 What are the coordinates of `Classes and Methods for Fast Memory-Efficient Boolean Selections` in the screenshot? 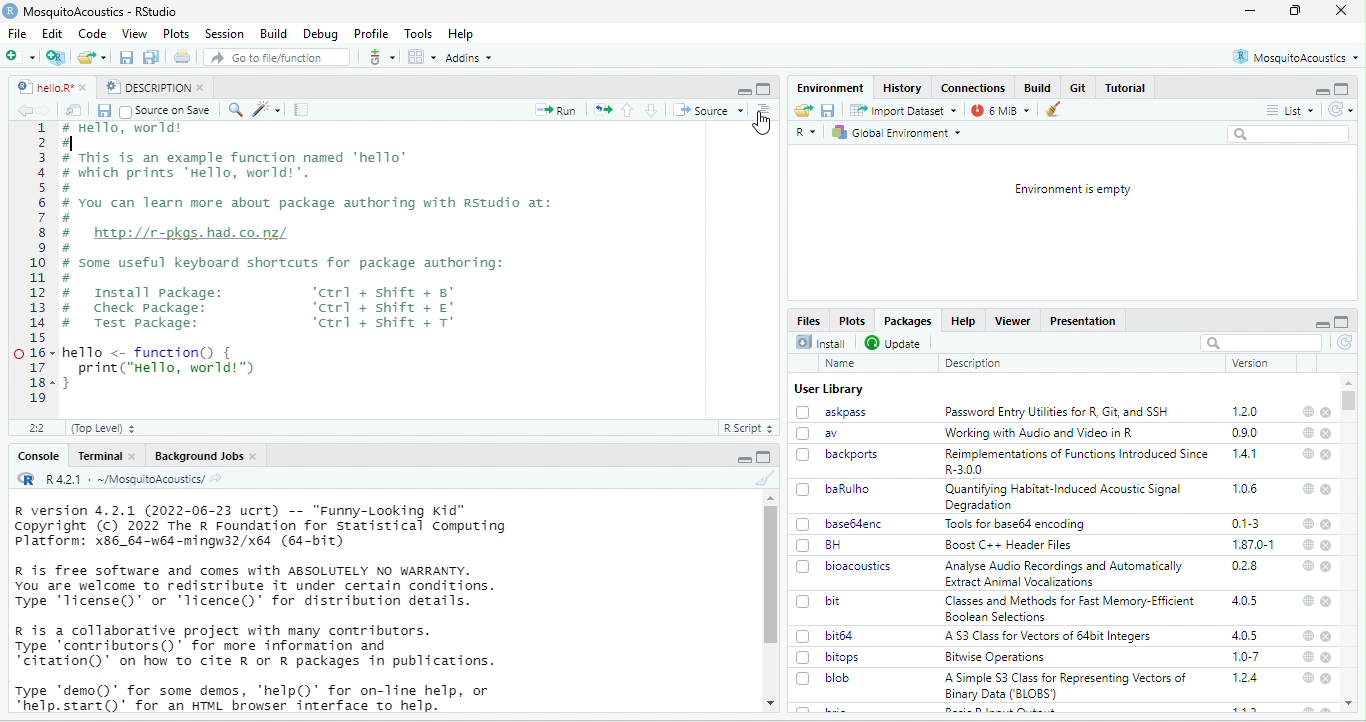 It's located at (1069, 608).